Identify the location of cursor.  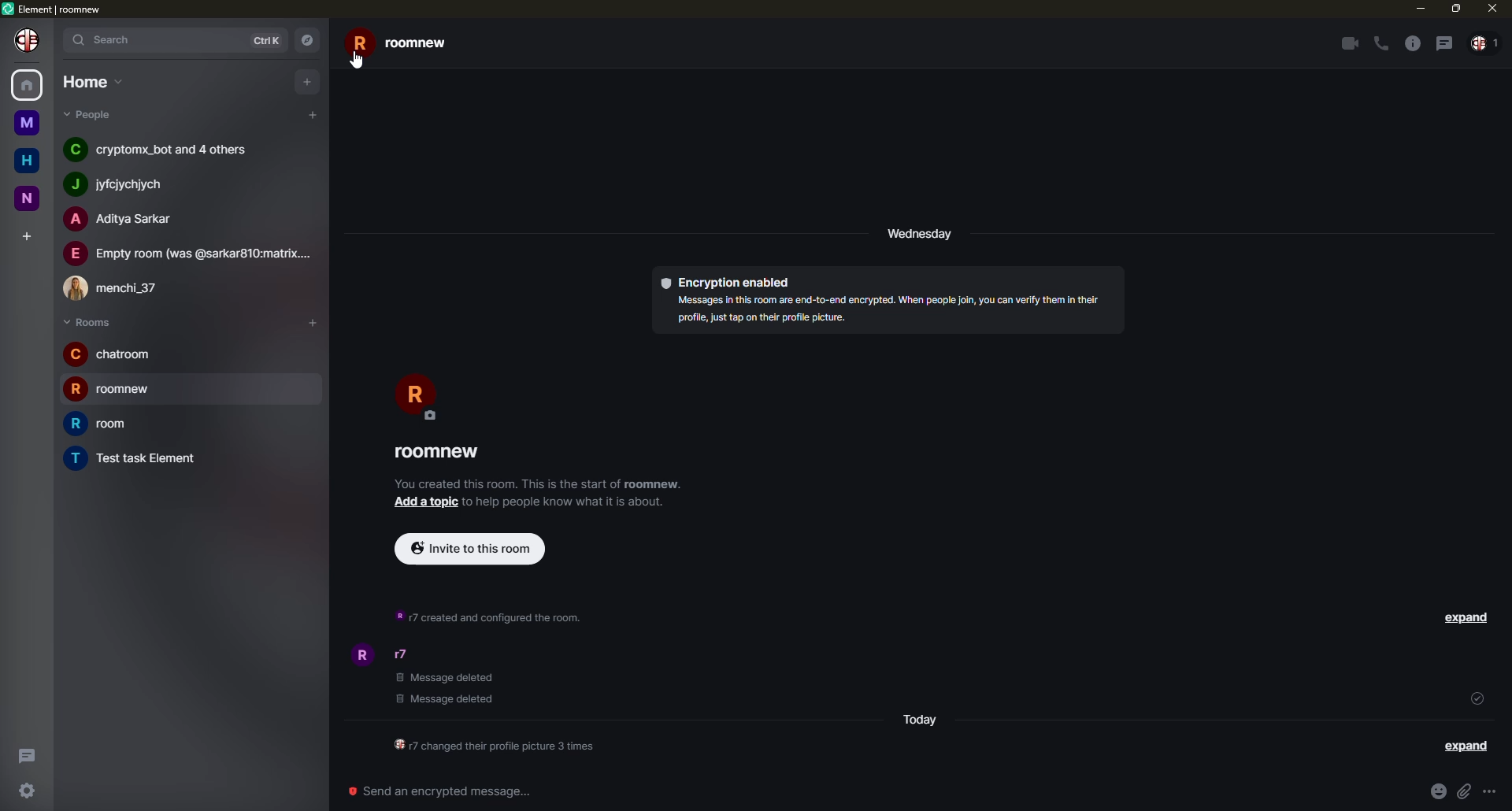
(361, 63).